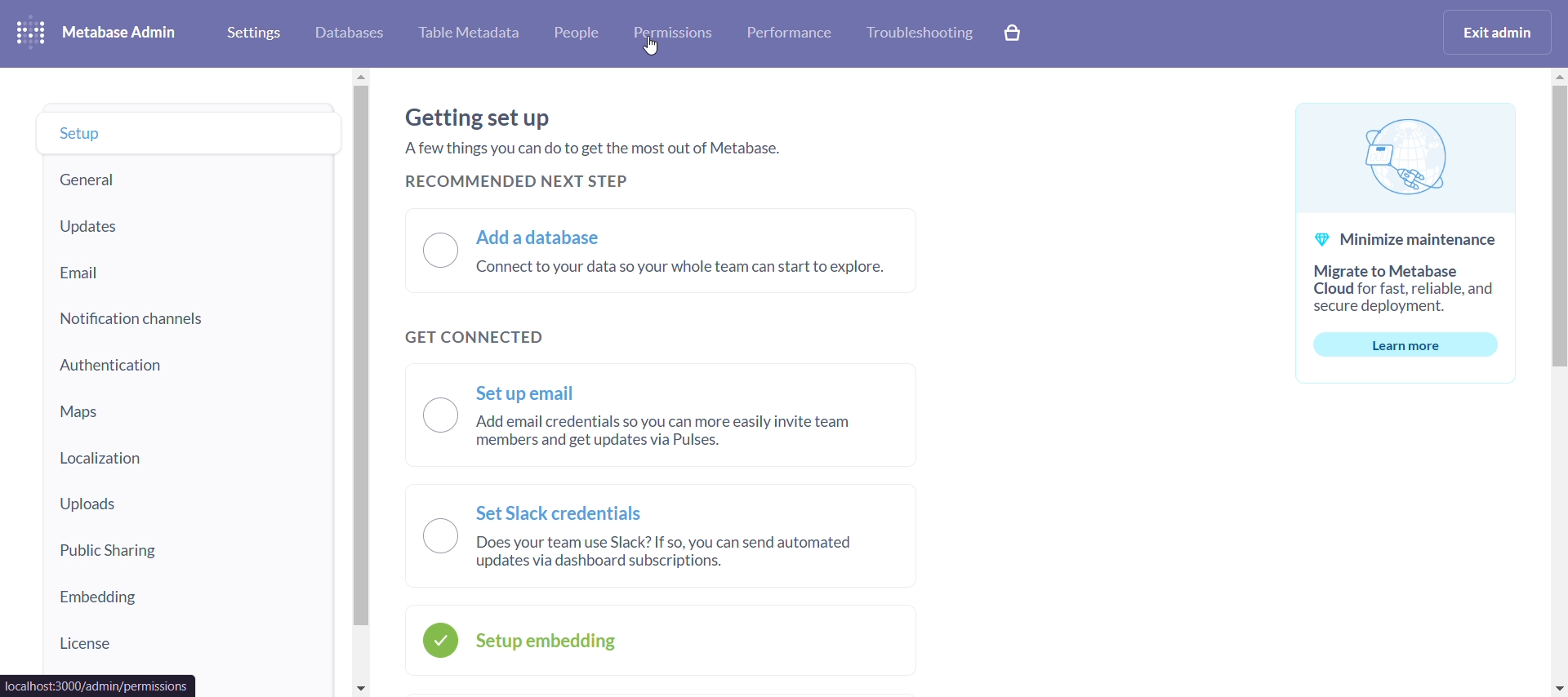 The height and width of the screenshot is (697, 1568). What do you see at coordinates (1017, 36) in the screenshot?
I see `explore paid features` at bounding box center [1017, 36].